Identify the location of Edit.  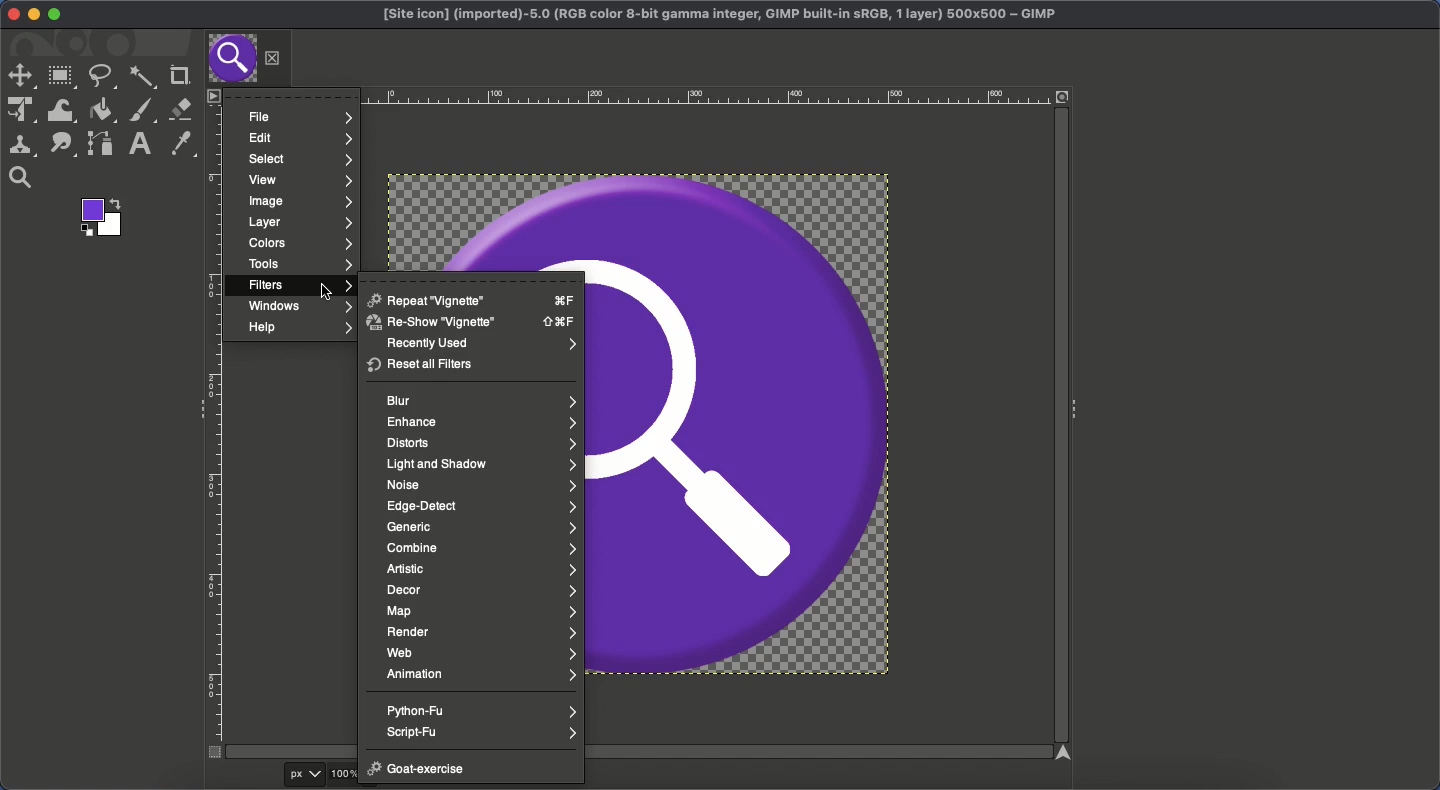
(298, 139).